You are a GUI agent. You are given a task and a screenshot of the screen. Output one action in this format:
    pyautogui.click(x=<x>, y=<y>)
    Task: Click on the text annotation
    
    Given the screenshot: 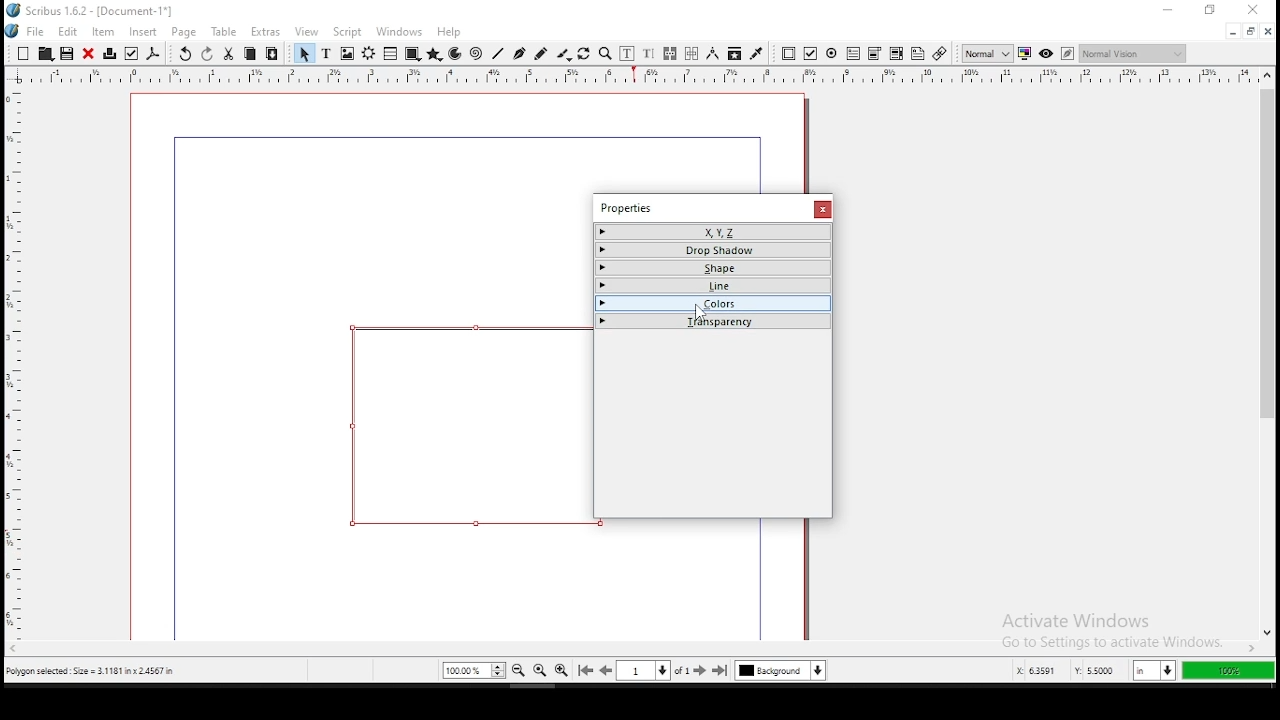 What is the action you would take?
    pyautogui.click(x=918, y=53)
    